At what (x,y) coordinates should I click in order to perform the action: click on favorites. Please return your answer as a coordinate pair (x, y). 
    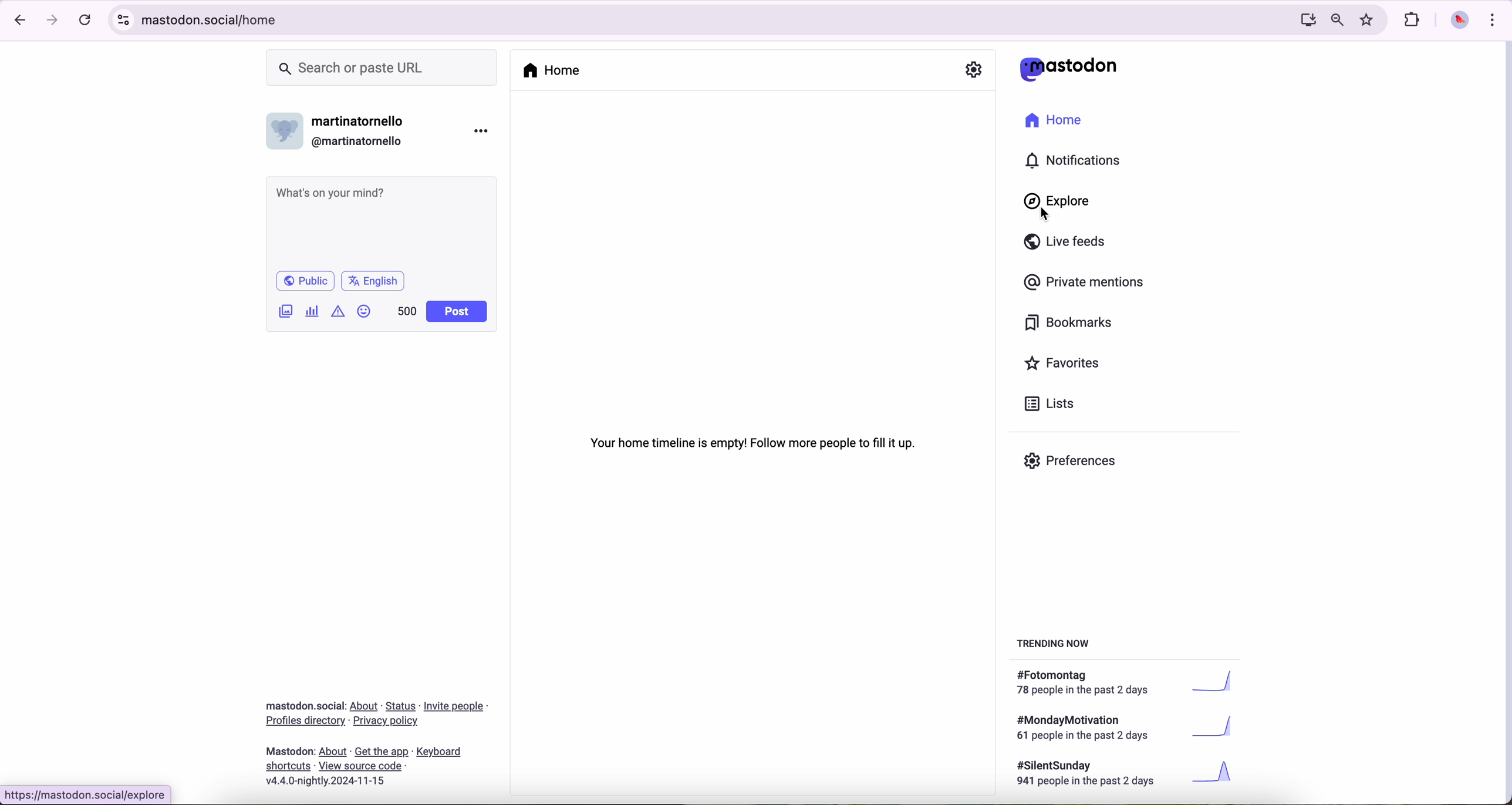
    Looking at the image, I should click on (1369, 20).